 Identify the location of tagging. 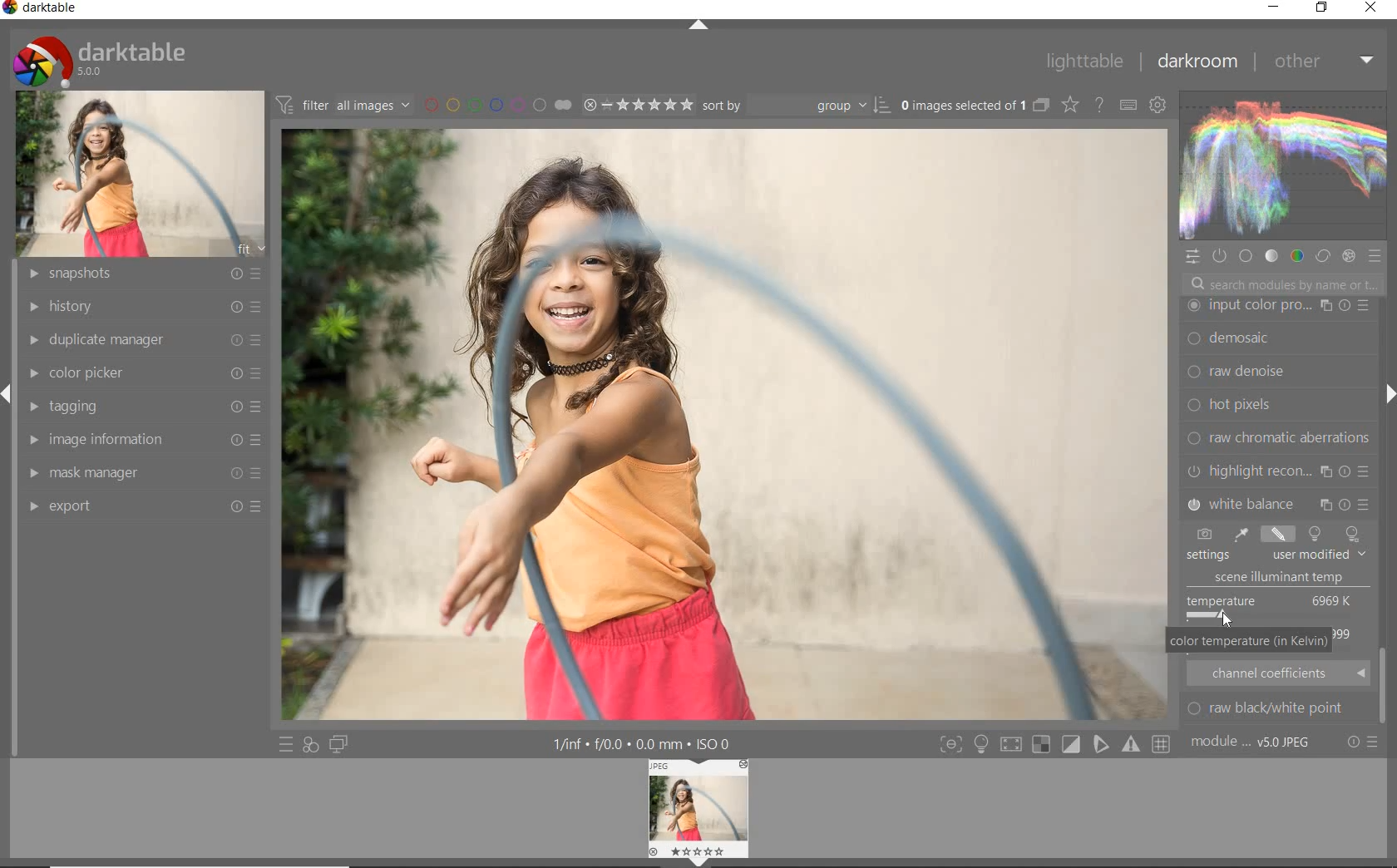
(143, 407).